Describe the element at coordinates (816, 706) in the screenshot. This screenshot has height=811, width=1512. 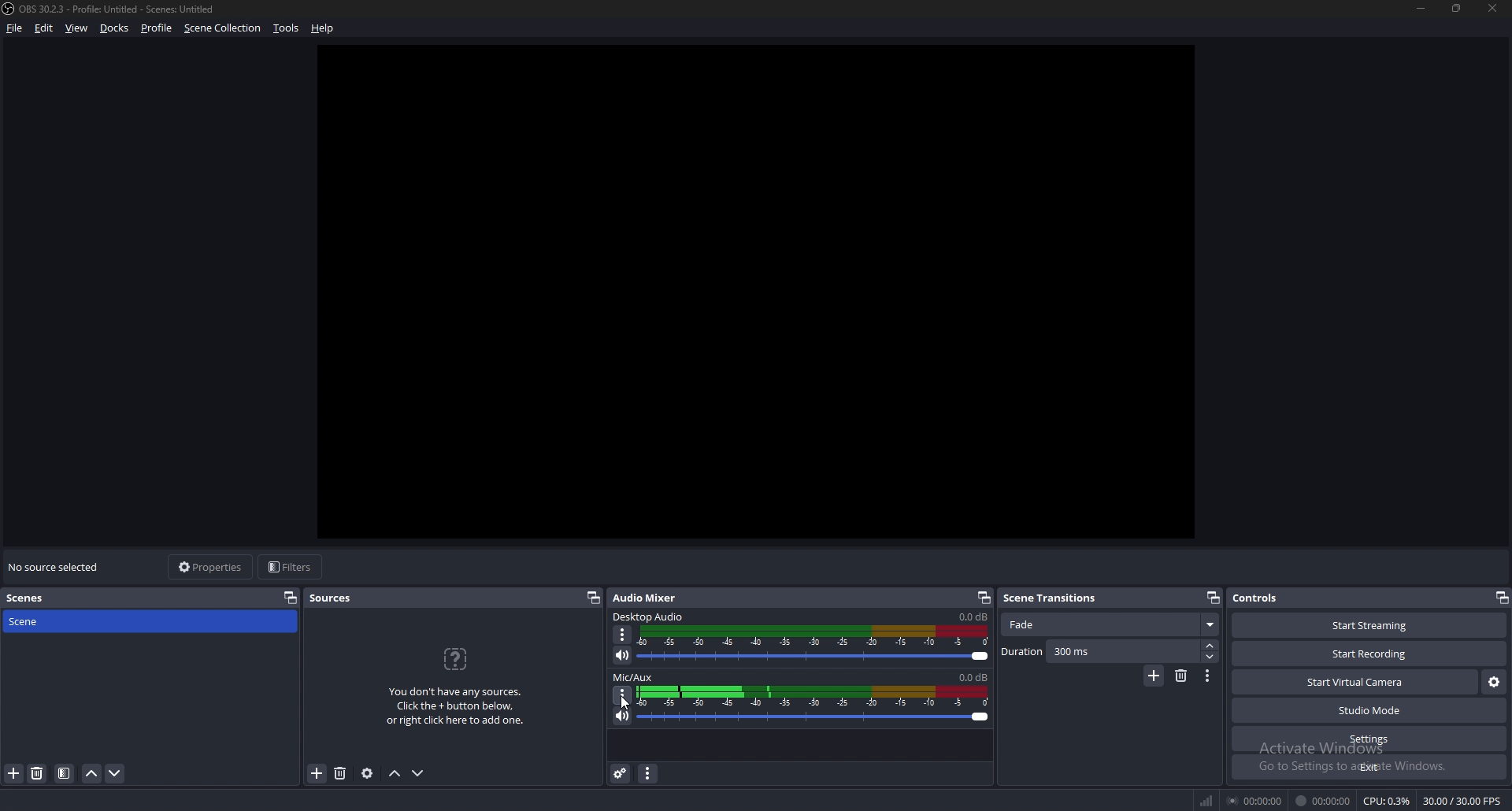
I see `mic/aux volume adjust` at that location.